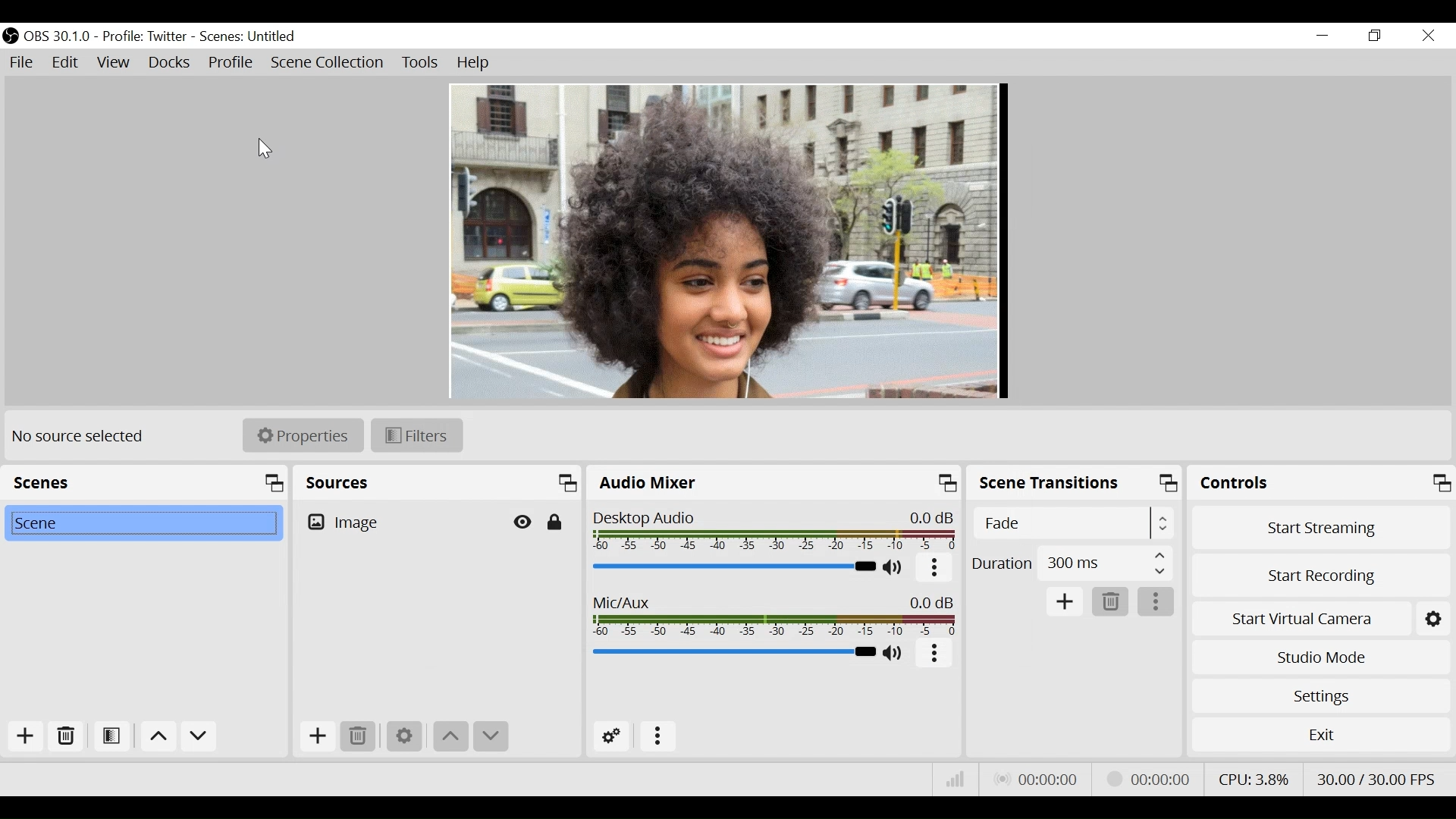  What do you see at coordinates (1075, 485) in the screenshot?
I see `Scene Transitions` at bounding box center [1075, 485].